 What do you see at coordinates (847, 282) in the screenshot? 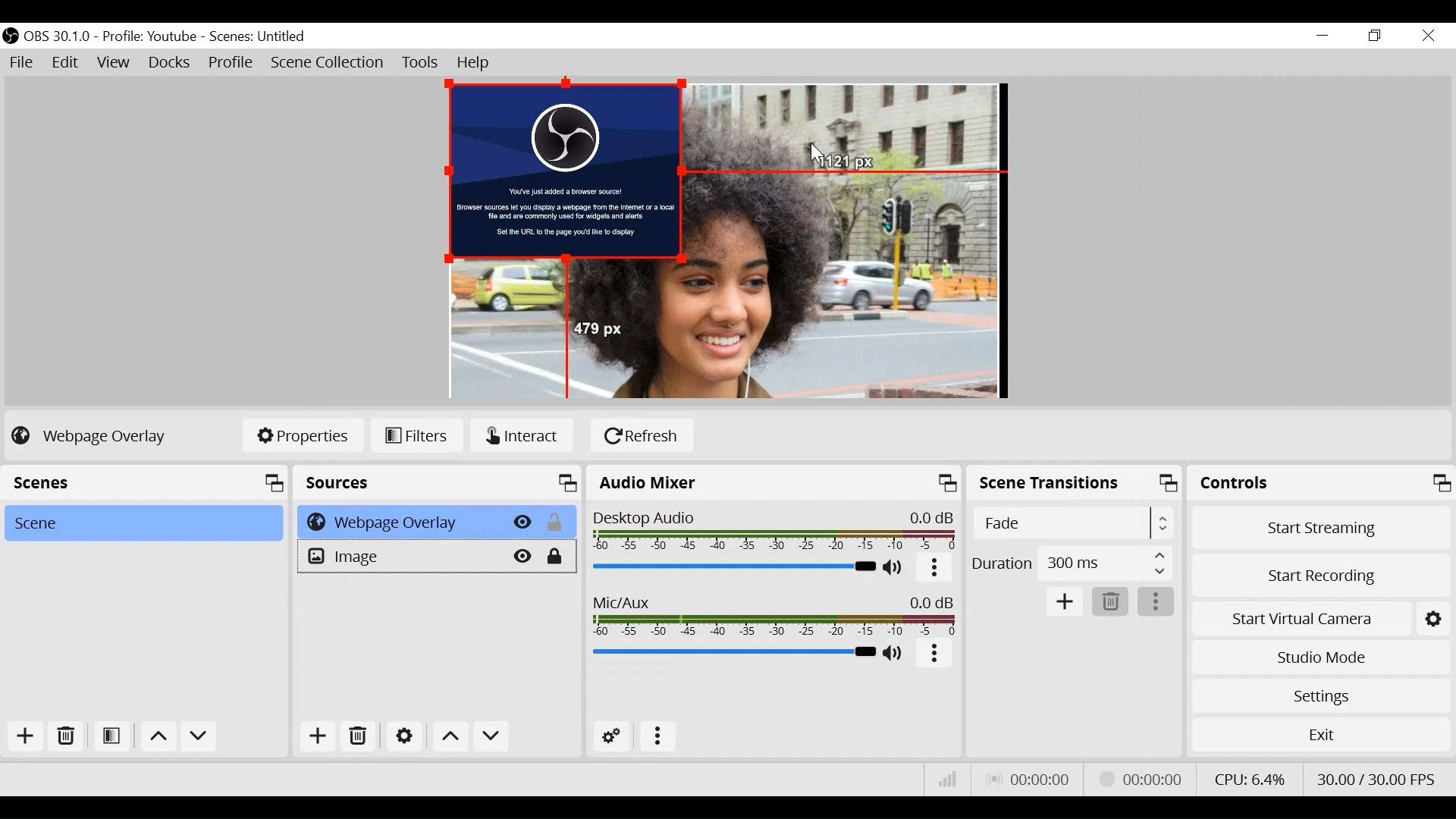
I see `Image` at bounding box center [847, 282].